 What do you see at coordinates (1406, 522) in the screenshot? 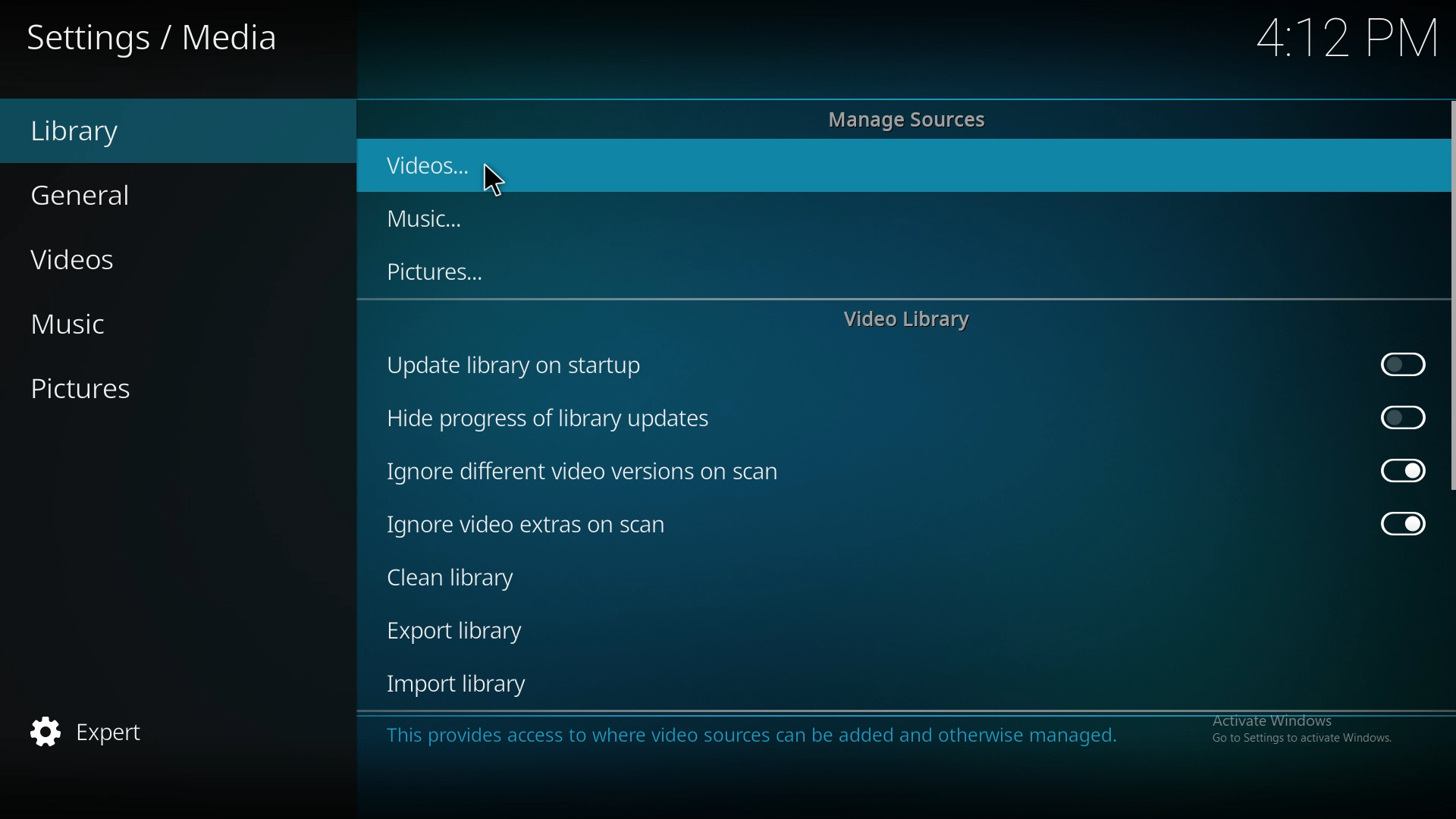
I see `off` at bounding box center [1406, 522].